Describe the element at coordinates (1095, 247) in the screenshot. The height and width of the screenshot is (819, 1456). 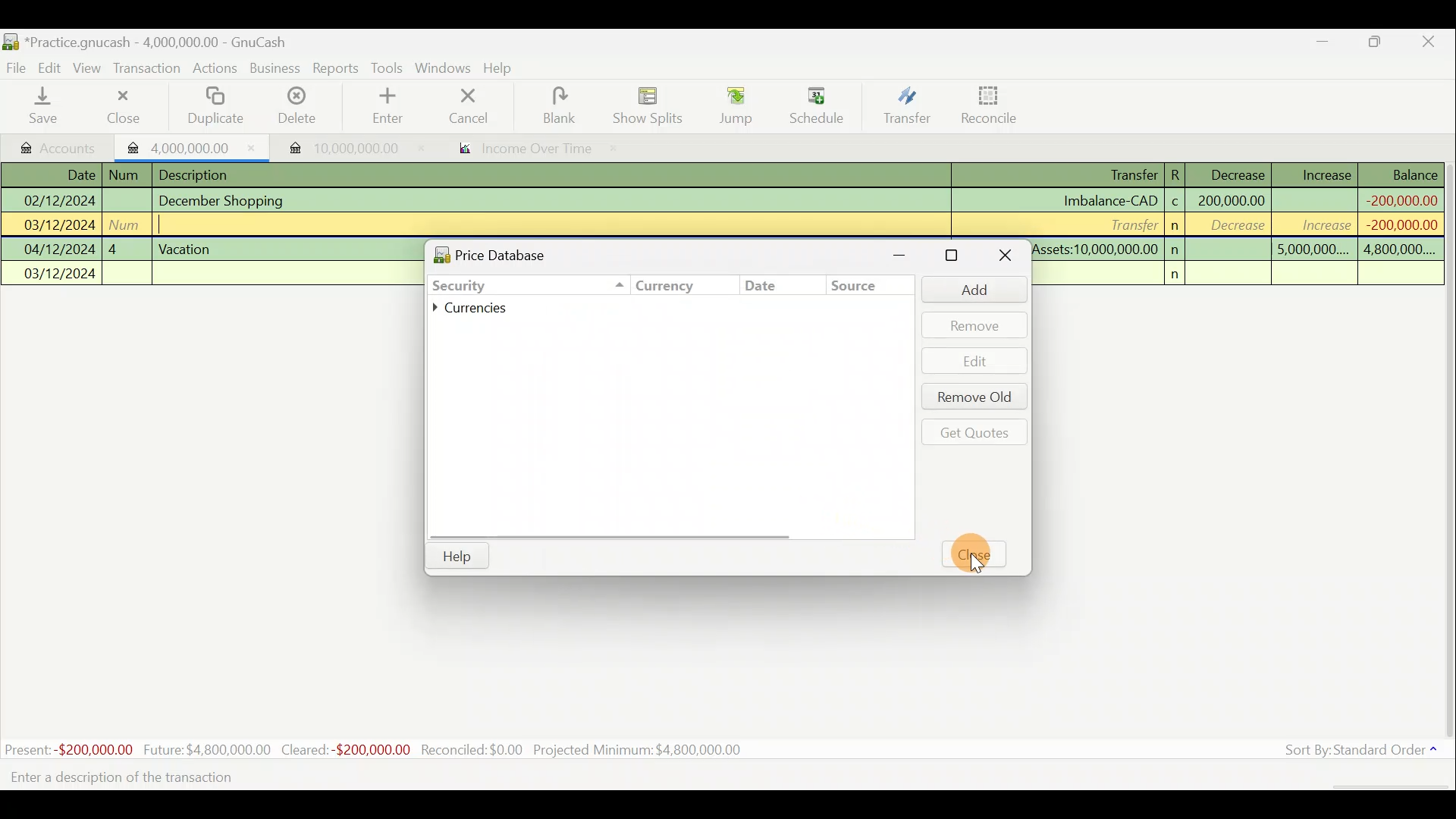
I see `Assets:10,000,000.00` at that location.